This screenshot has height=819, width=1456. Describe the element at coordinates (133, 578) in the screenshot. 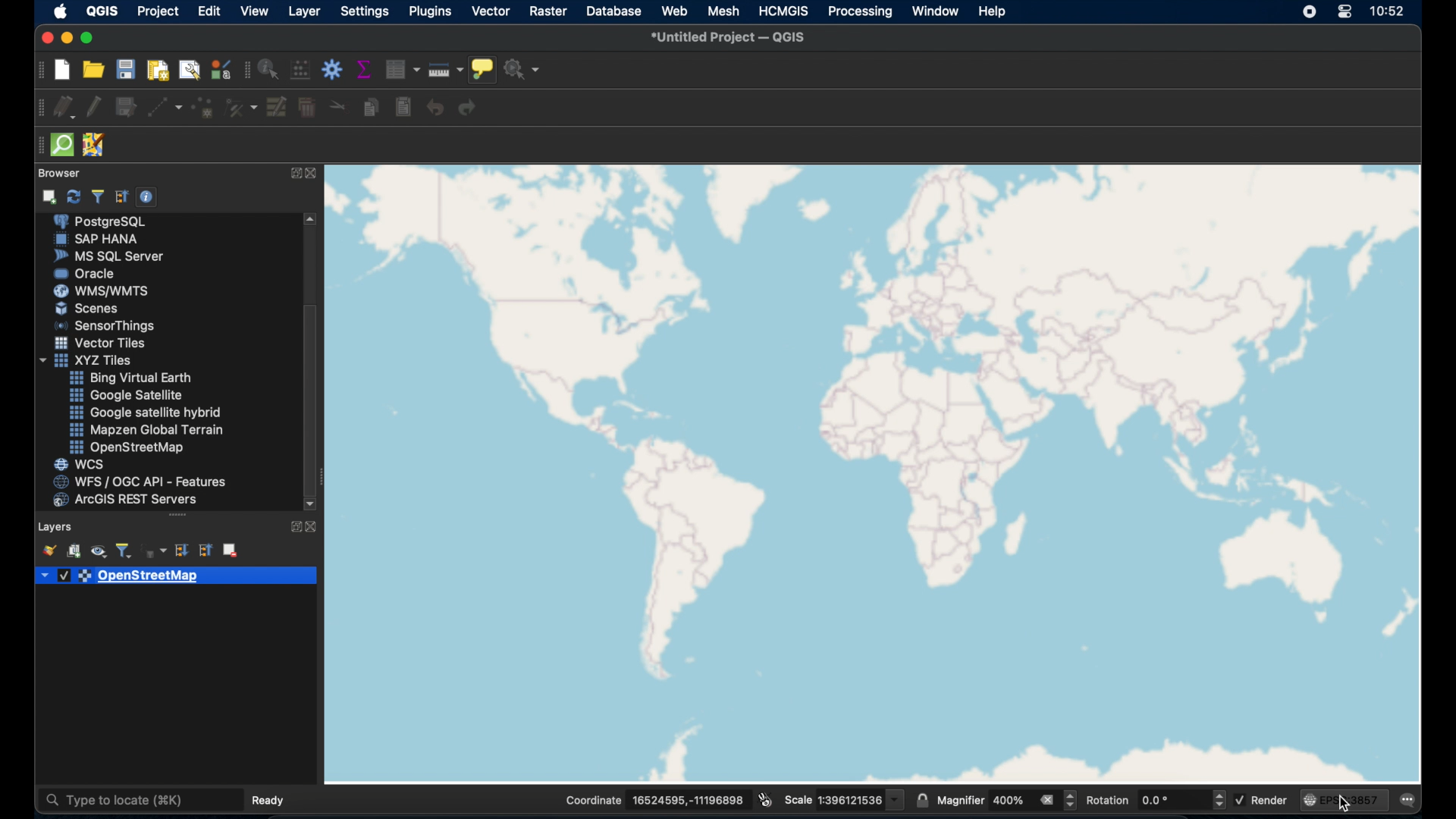

I see `openstreetmap` at that location.